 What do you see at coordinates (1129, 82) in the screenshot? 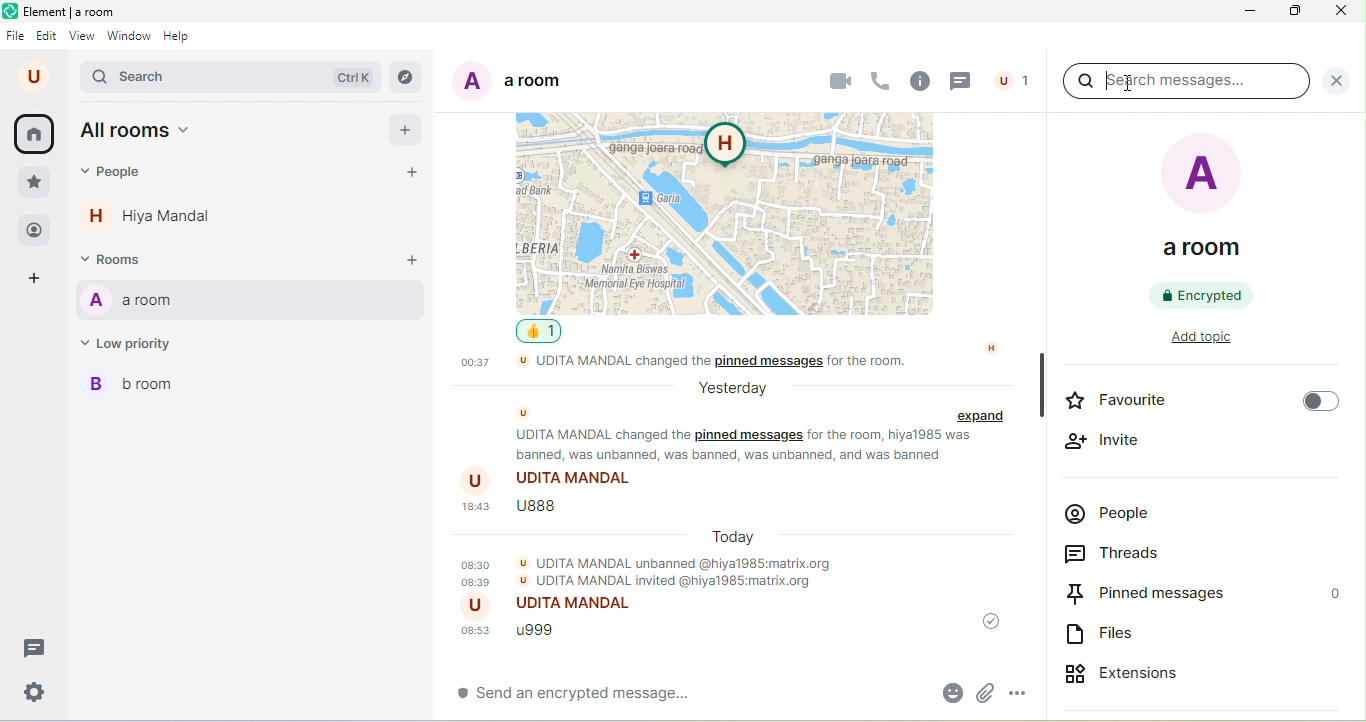
I see `cursor` at bounding box center [1129, 82].